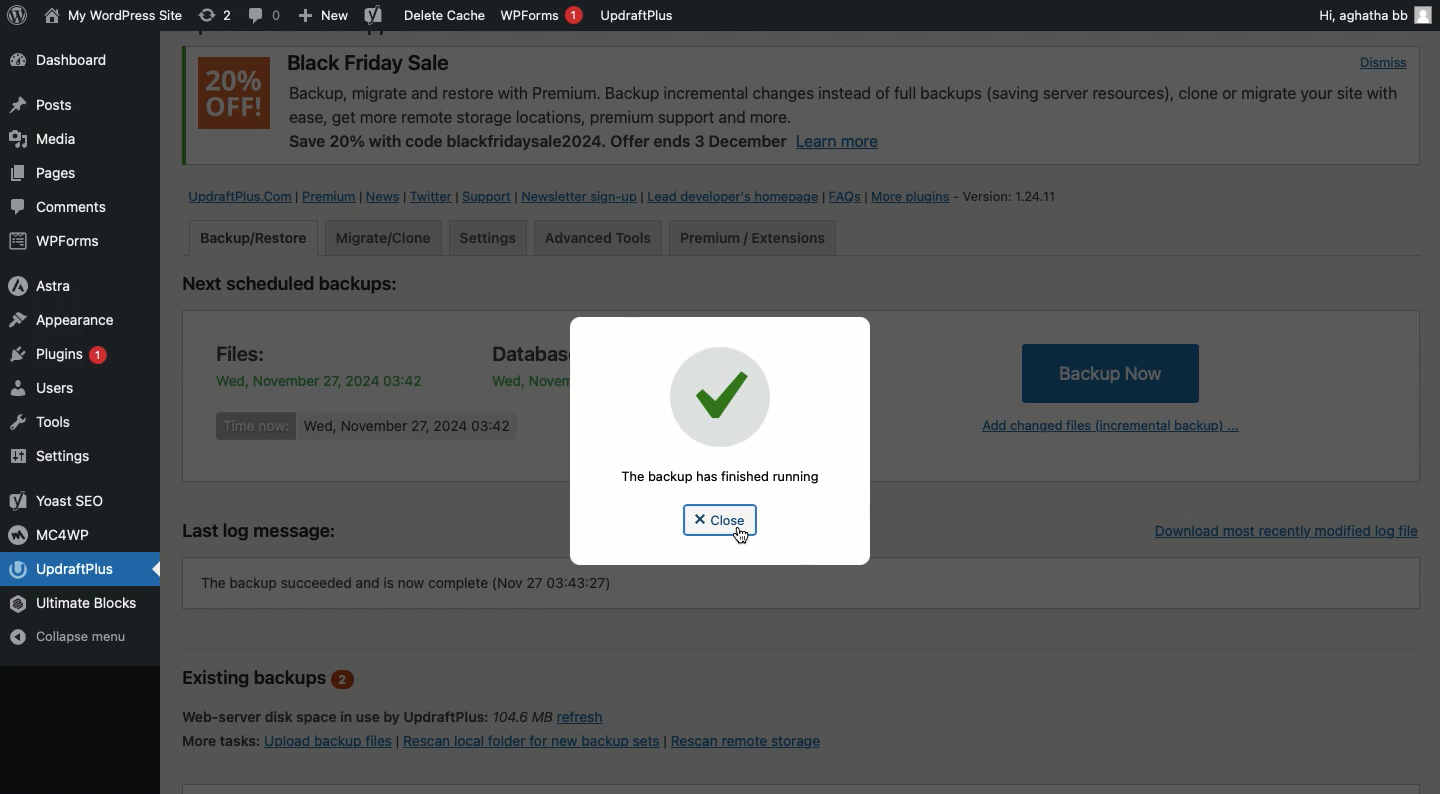 Image resolution: width=1440 pixels, height=794 pixels. What do you see at coordinates (253, 351) in the screenshot?
I see `Files:` at bounding box center [253, 351].